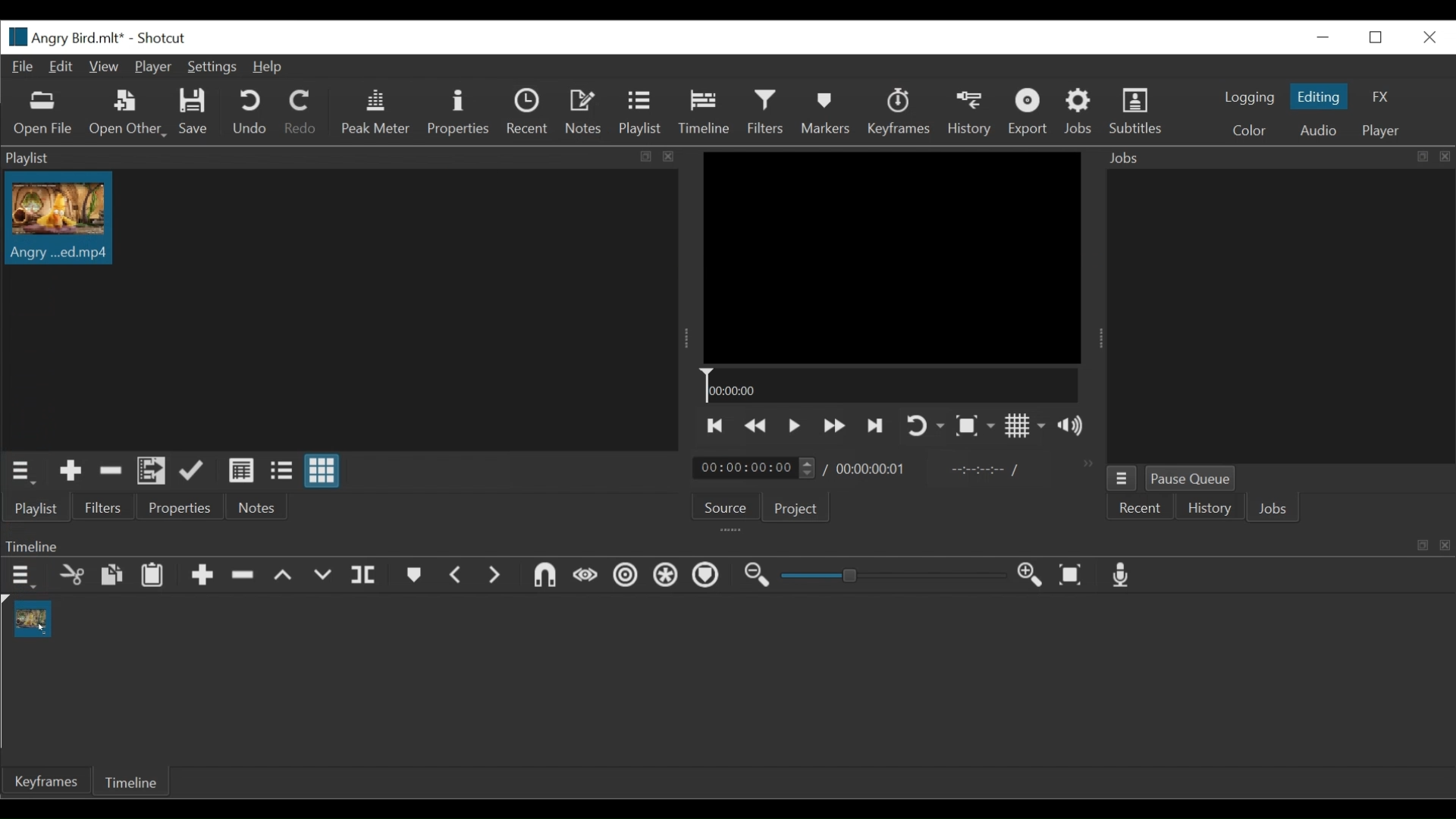  Describe the element at coordinates (109, 574) in the screenshot. I see `copy` at that location.